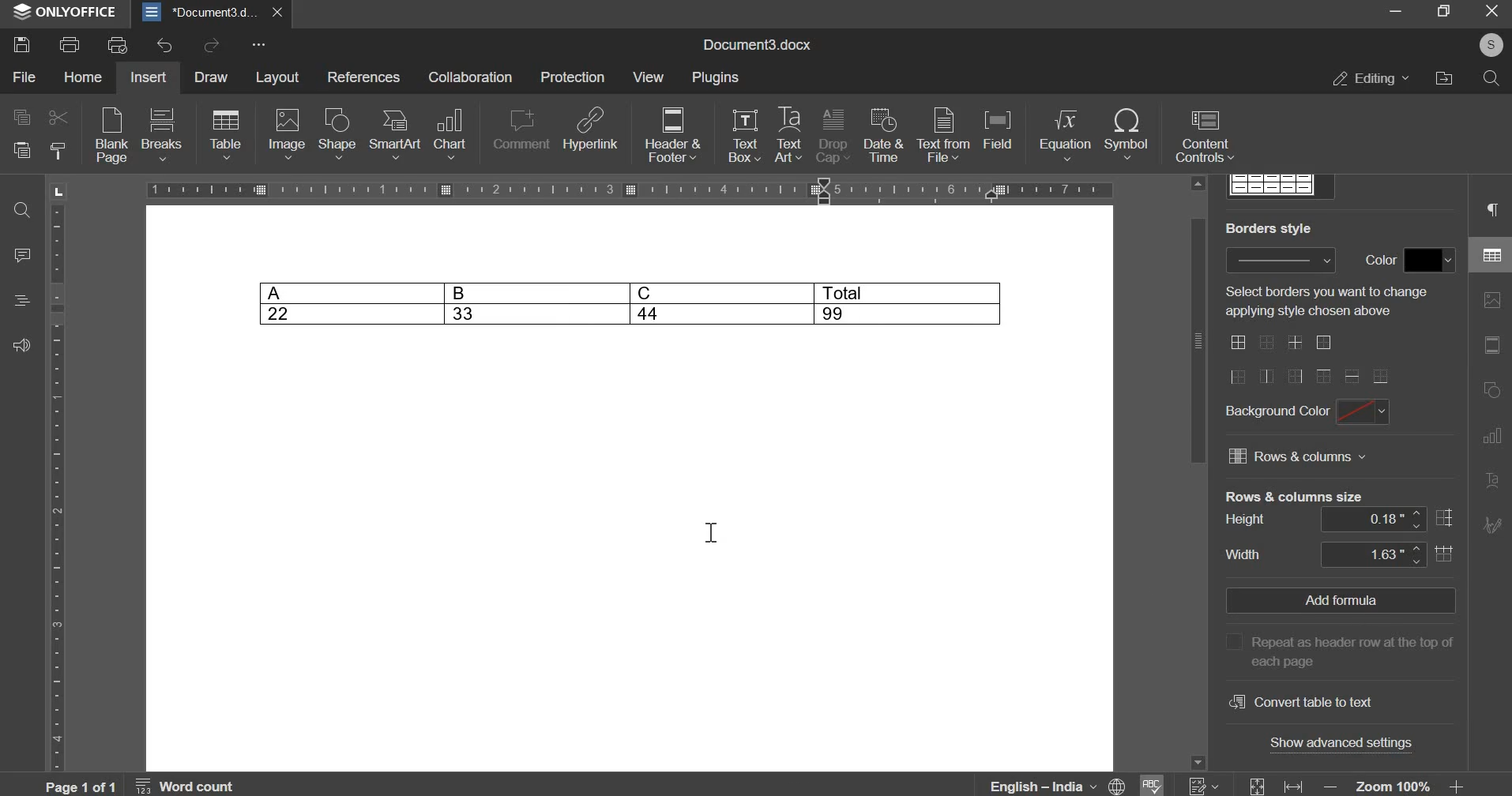  What do you see at coordinates (211, 46) in the screenshot?
I see `redo` at bounding box center [211, 46].